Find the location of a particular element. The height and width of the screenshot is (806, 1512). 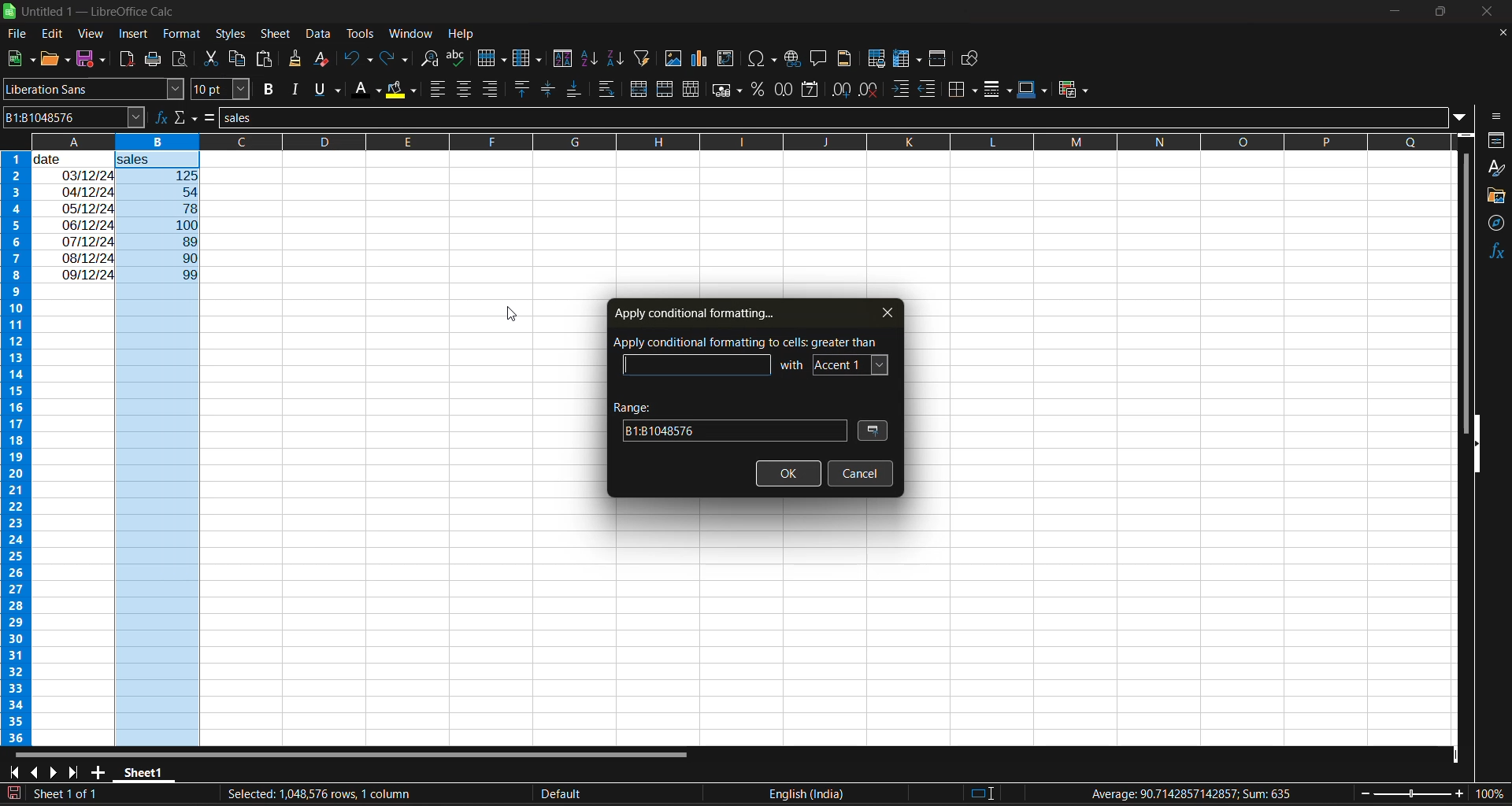

expand formula bar is located at coordinates (1466, 119).